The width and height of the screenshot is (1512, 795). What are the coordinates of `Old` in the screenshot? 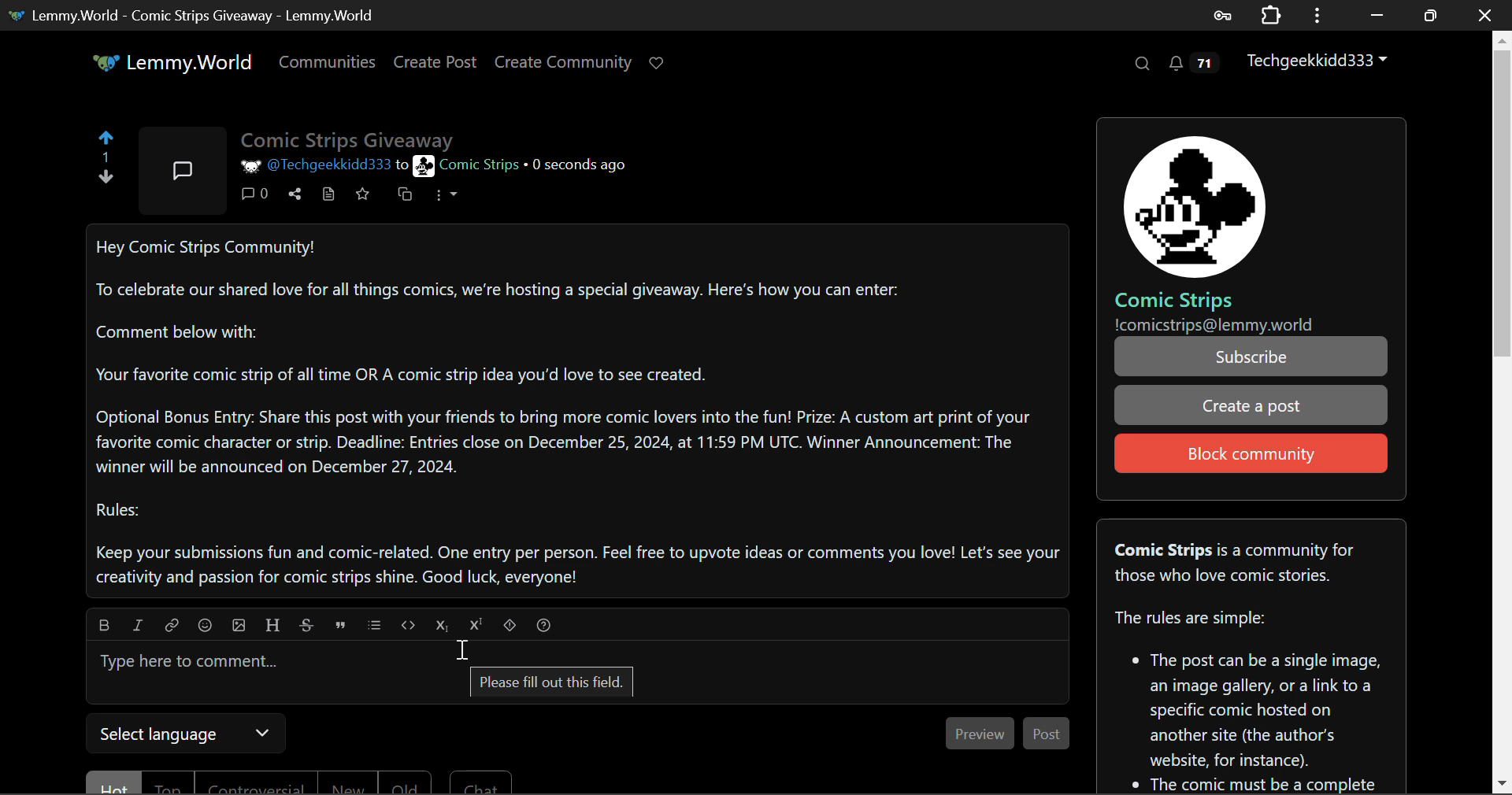 It's located at (405, 782).